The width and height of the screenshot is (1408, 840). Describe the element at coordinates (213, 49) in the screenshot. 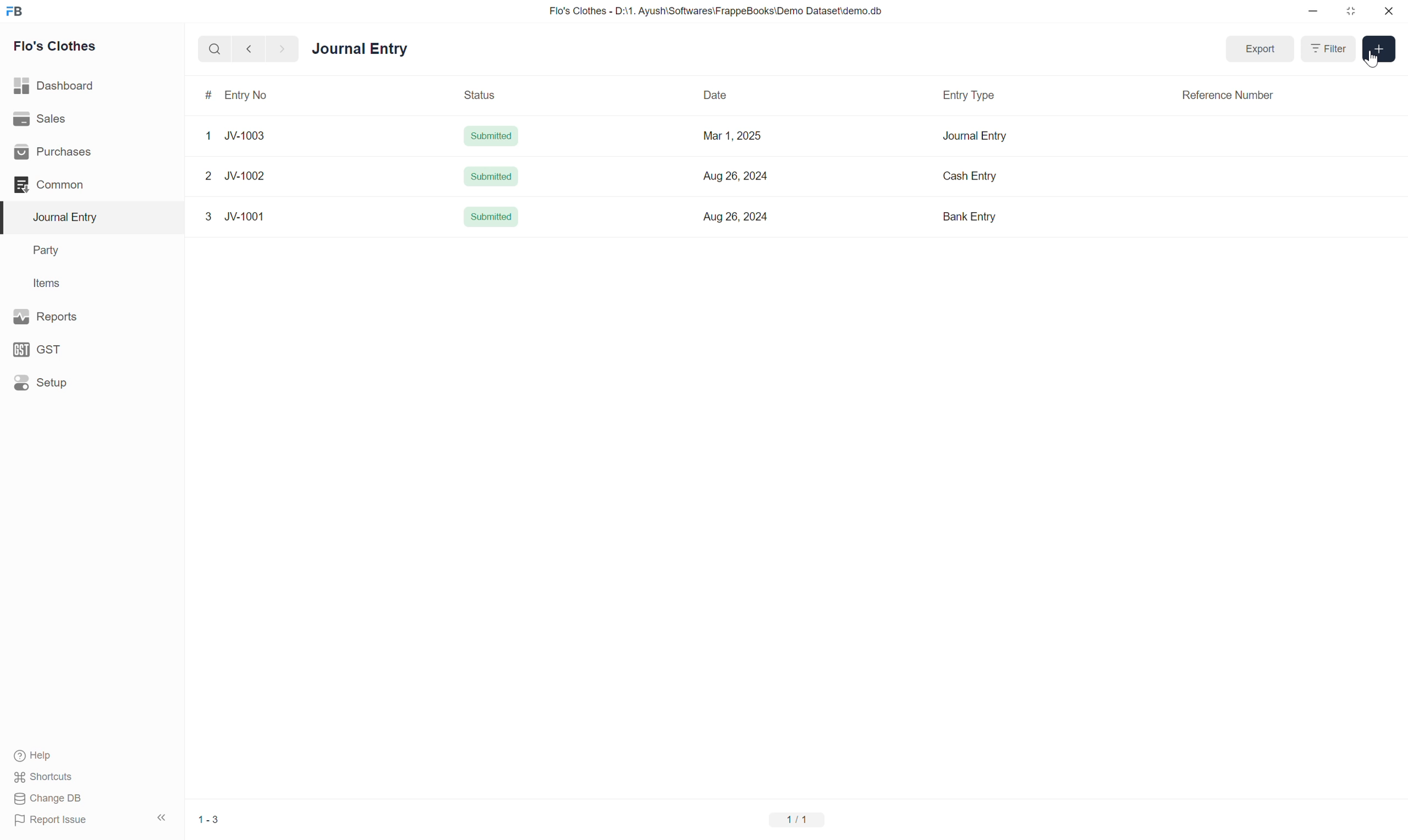

I see `search` at that location.